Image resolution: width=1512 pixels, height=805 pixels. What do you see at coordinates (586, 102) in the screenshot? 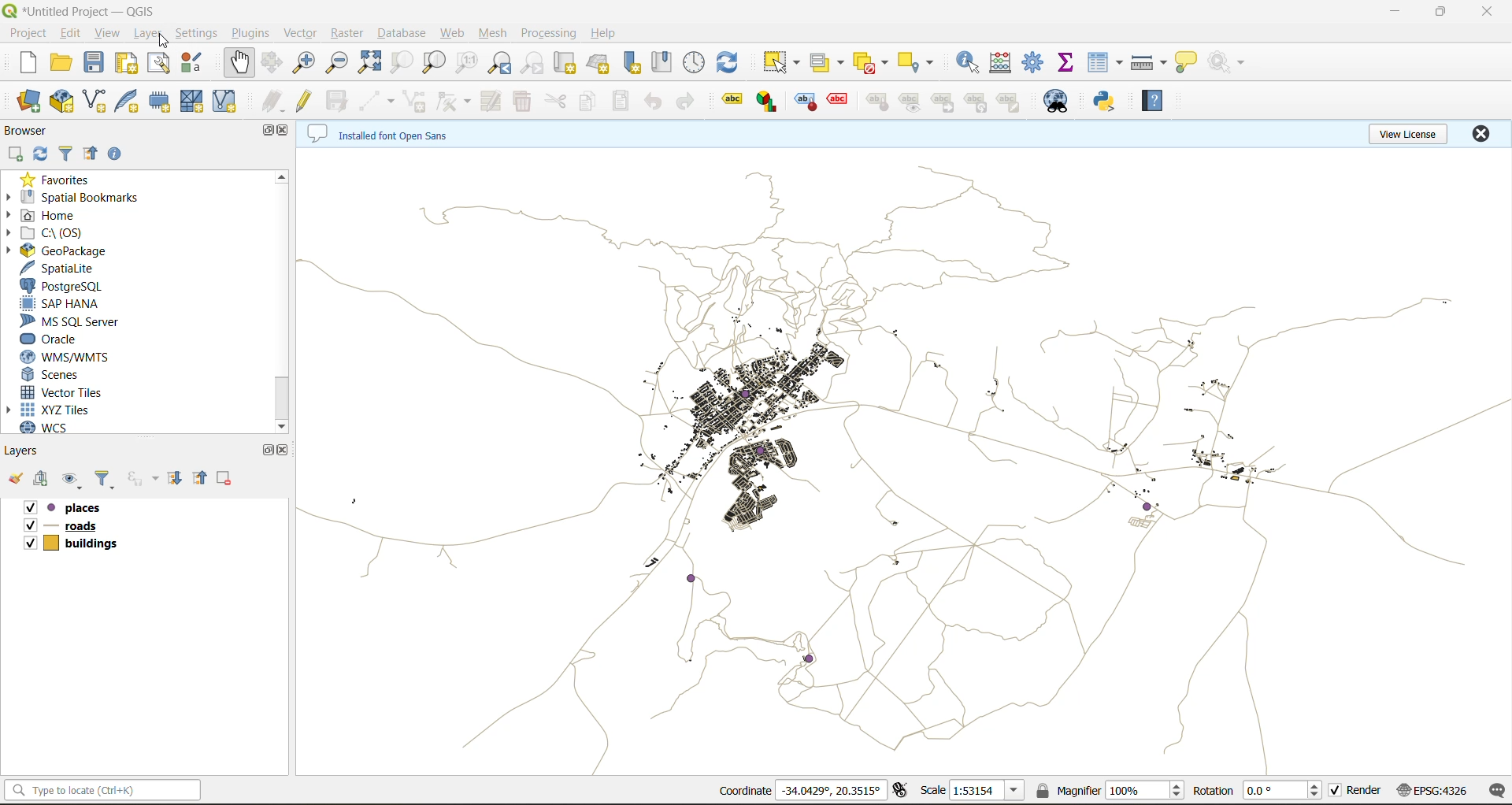
I see `copy` at bounding box center [586, 102].